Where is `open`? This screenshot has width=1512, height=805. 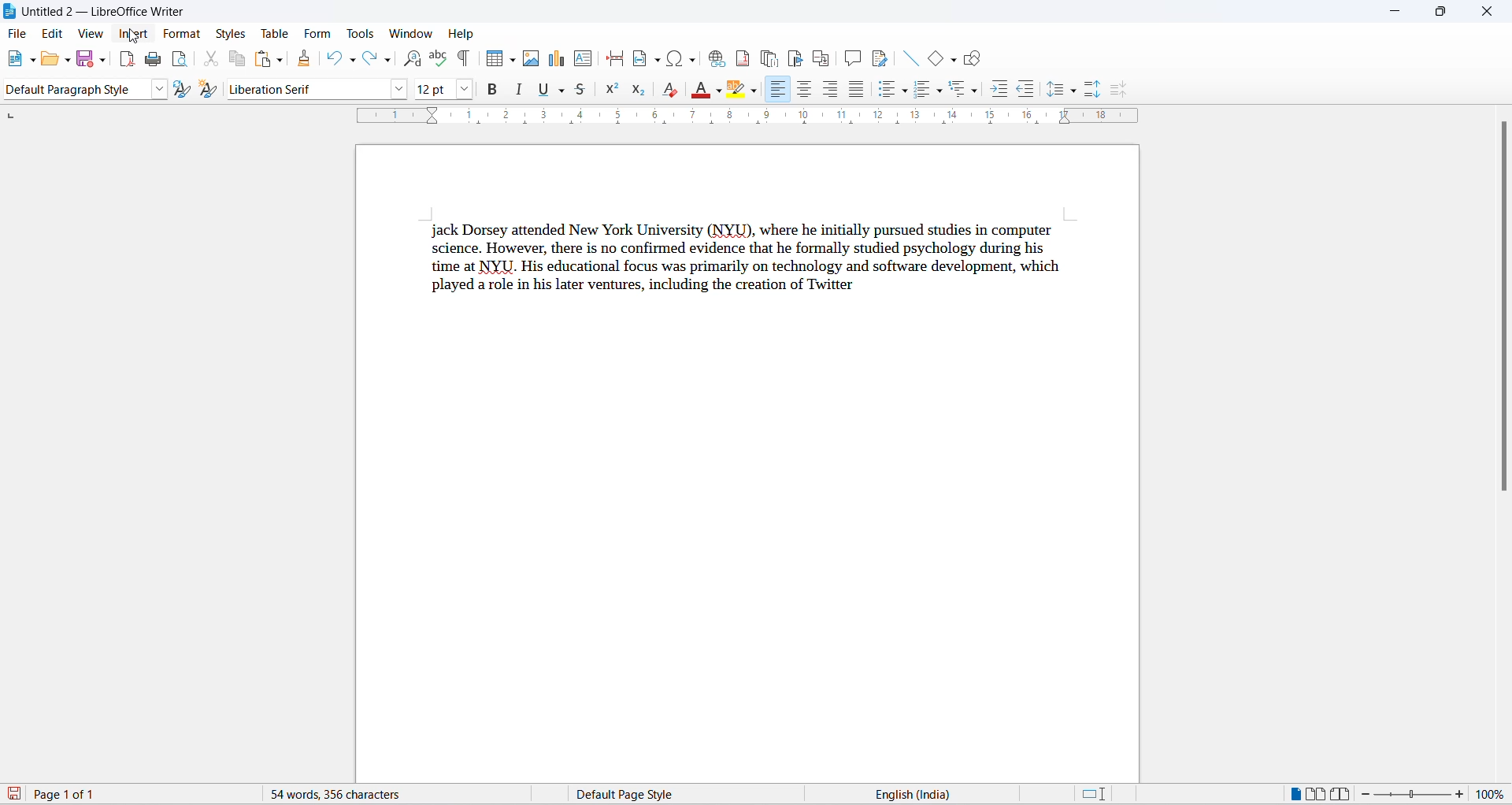
open is located at coordinates (54, 60).